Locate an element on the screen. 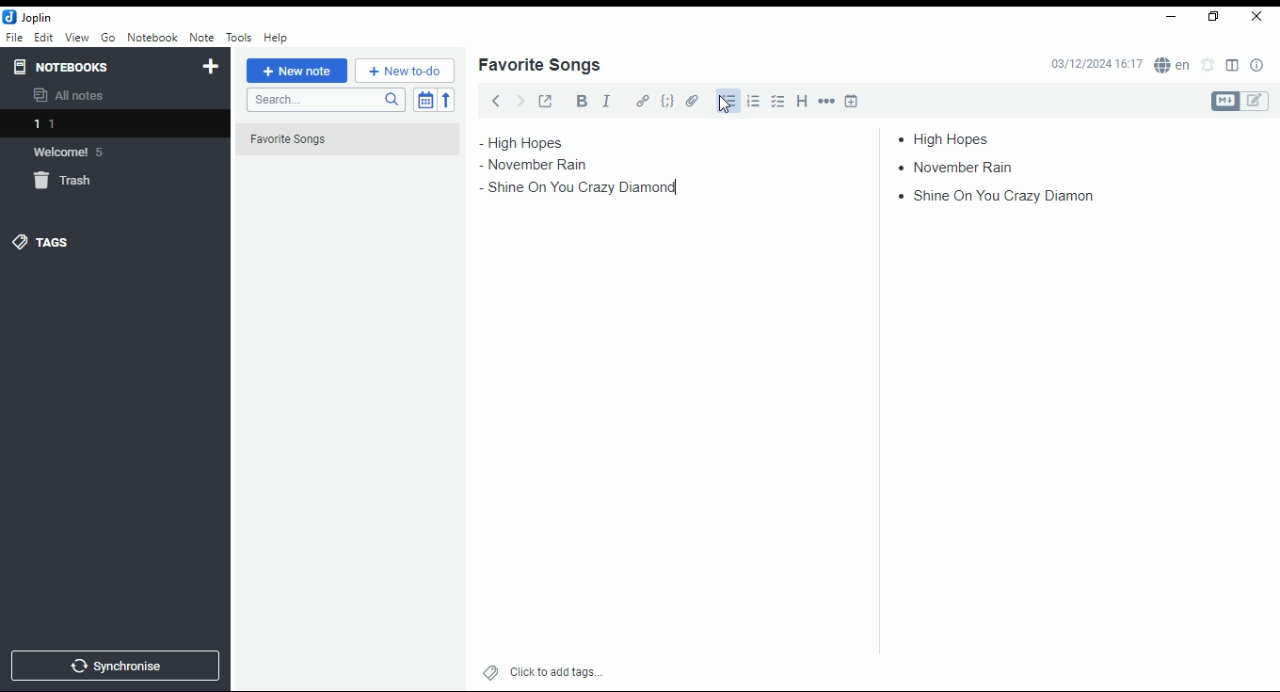 Image resolution: width=1280 pixels, height=692 pixels. bullets is located at coordinates (726, 101).